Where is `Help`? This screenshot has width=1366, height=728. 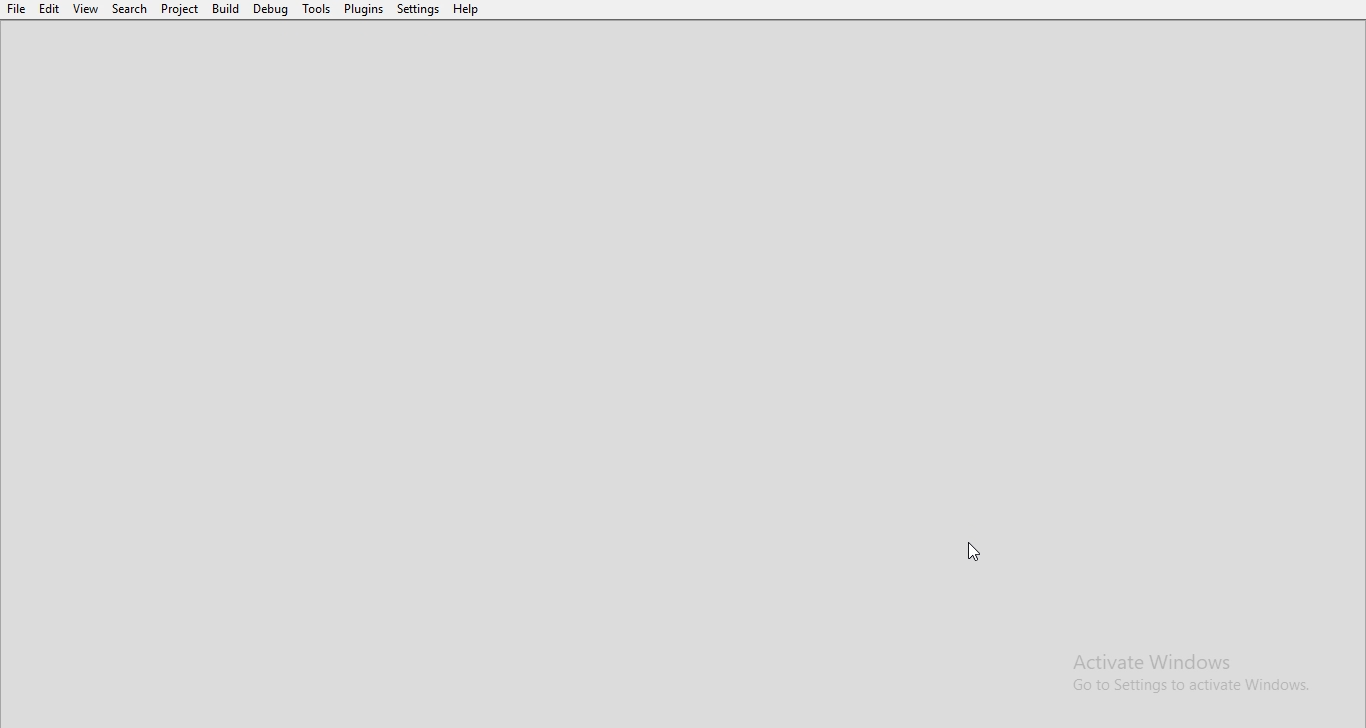
Help is located at coordinates (467, 11).